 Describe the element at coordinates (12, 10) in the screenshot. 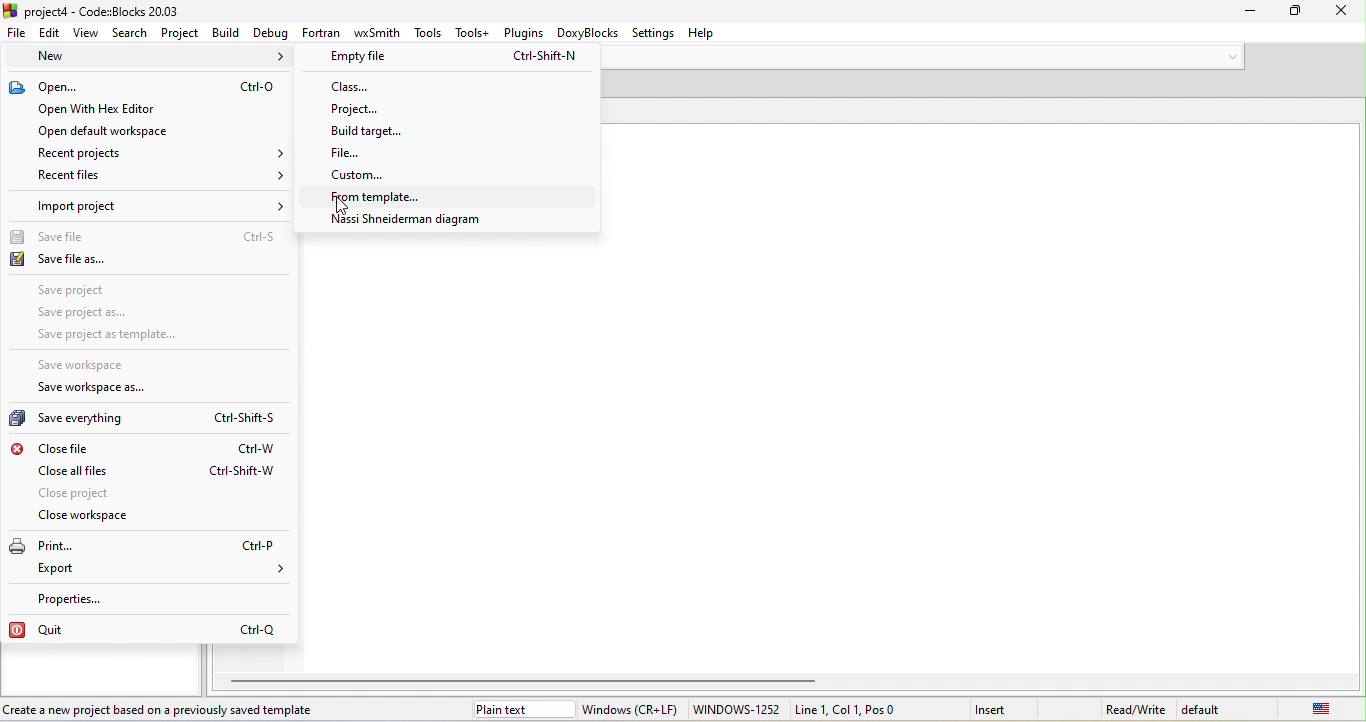

I see `icon` at that location.